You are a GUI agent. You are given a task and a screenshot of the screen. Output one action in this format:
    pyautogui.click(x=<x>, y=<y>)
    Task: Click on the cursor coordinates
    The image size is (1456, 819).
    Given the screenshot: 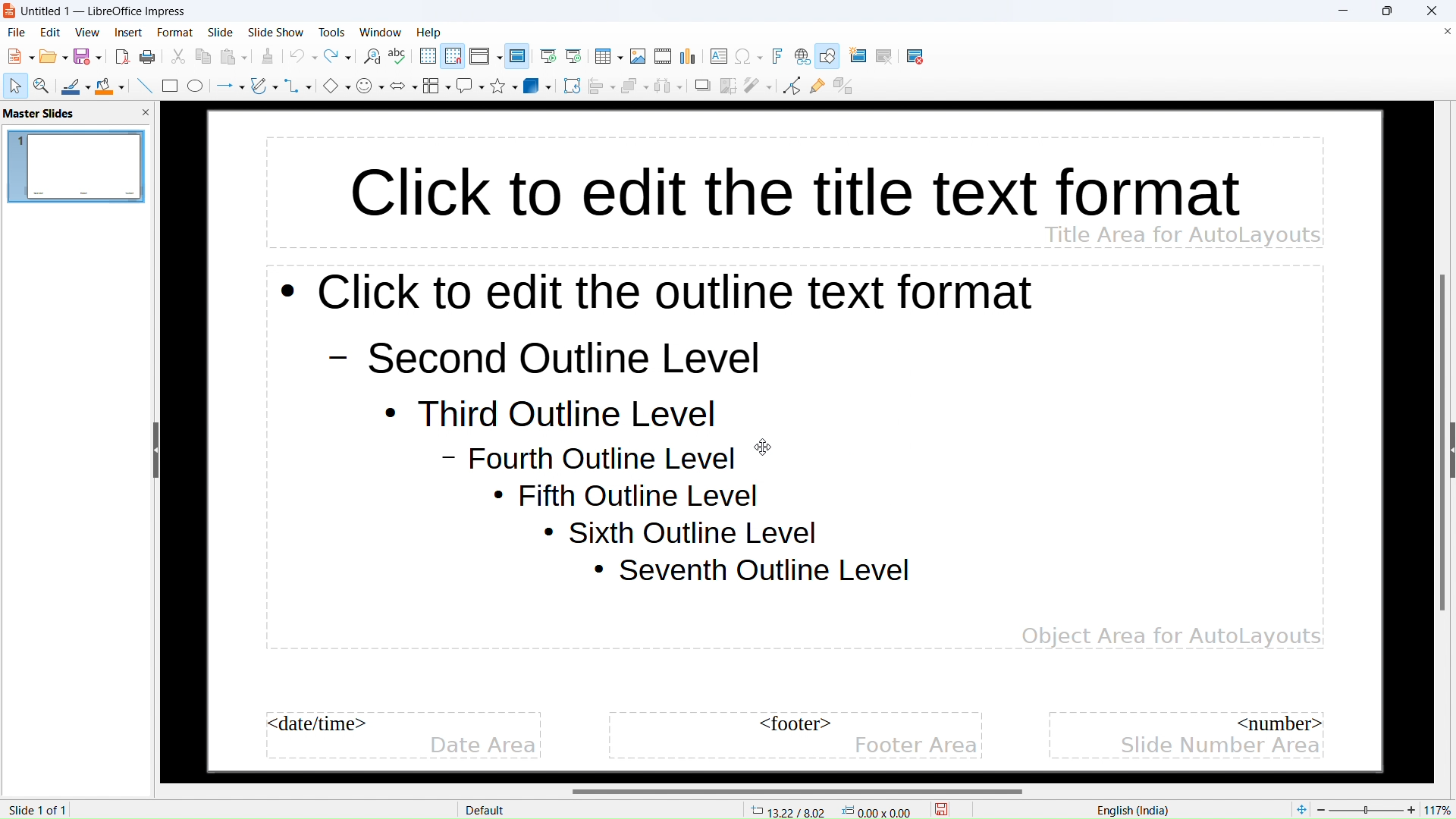 What is the action you would take?
    pyautogui.click(x=788, y=809)
    